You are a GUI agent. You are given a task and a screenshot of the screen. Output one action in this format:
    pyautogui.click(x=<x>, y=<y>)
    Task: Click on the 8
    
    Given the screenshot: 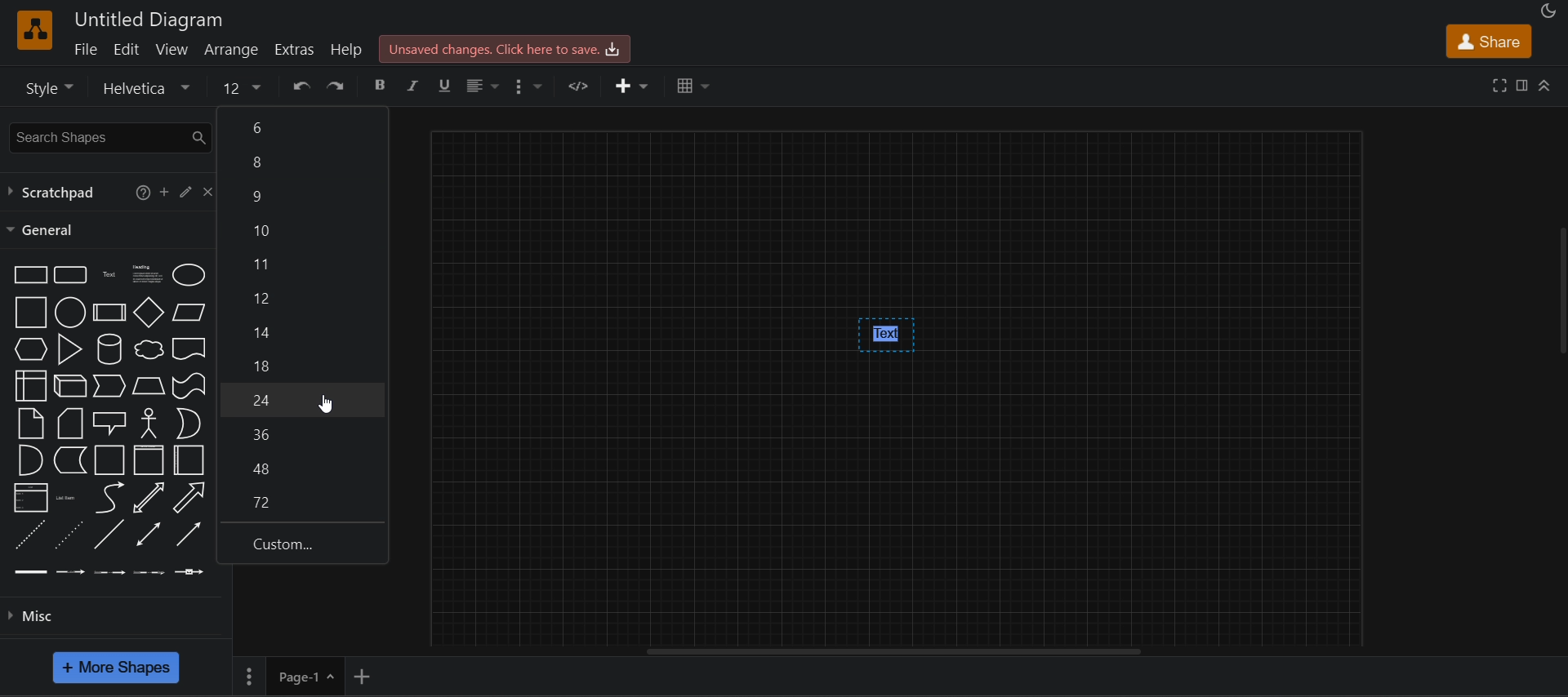 What is the action you would take?
    pyautogui.click(x=302, y=165)
    